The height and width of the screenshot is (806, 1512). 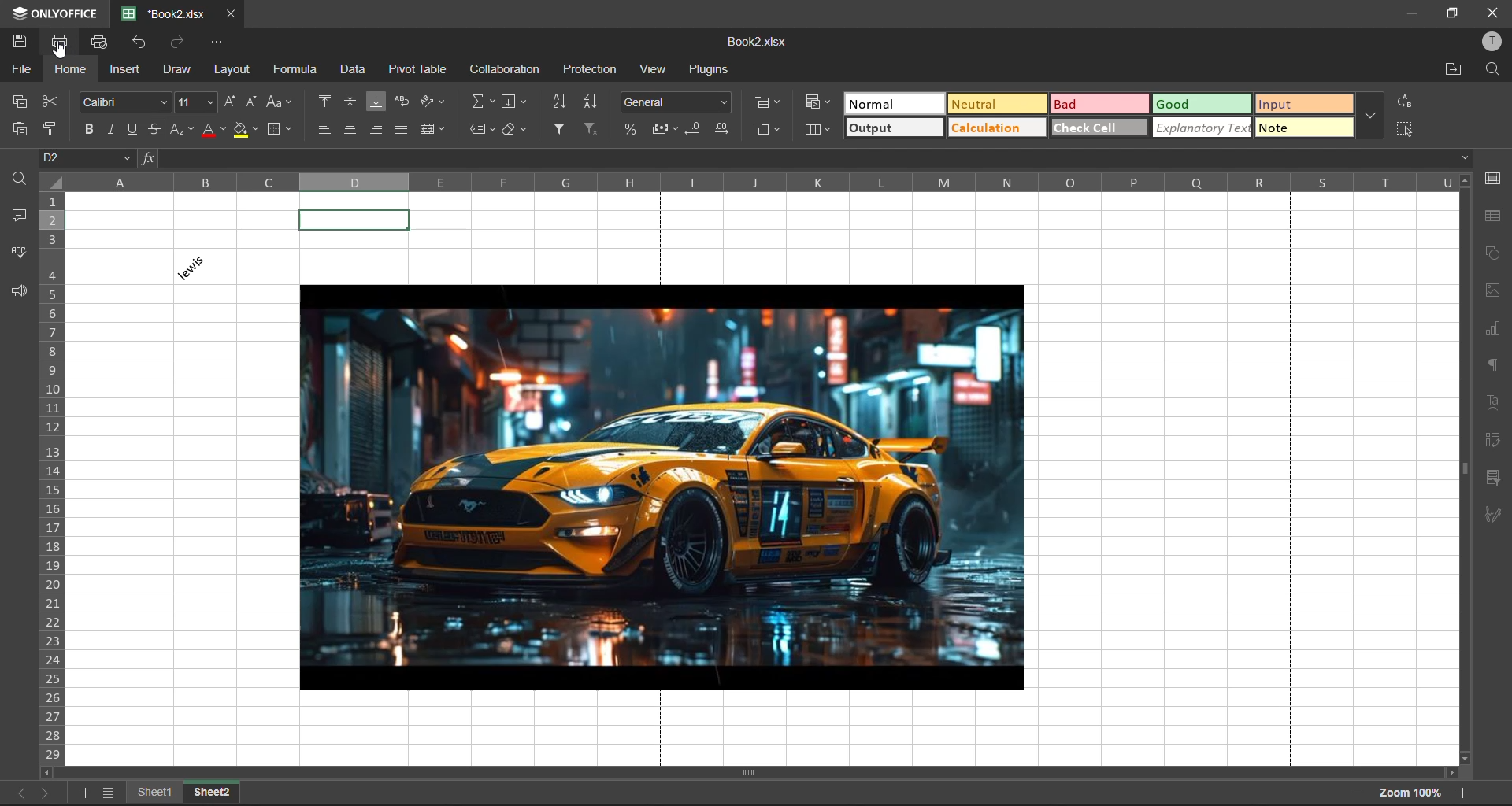 I want to click on zoom in, so click(x=1467, y=793).